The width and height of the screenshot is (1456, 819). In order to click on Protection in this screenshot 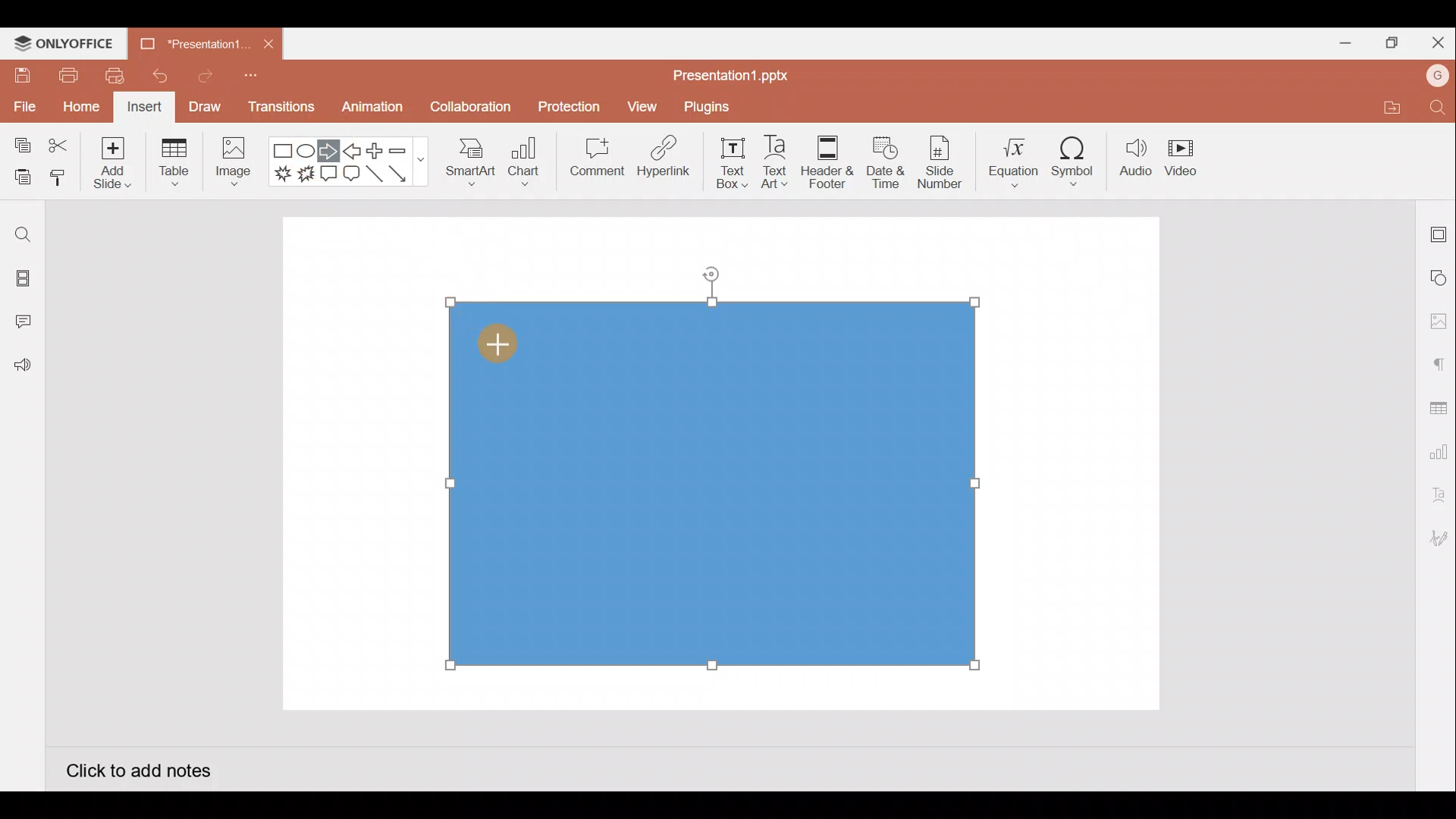, I will do `click(565, 107)`.